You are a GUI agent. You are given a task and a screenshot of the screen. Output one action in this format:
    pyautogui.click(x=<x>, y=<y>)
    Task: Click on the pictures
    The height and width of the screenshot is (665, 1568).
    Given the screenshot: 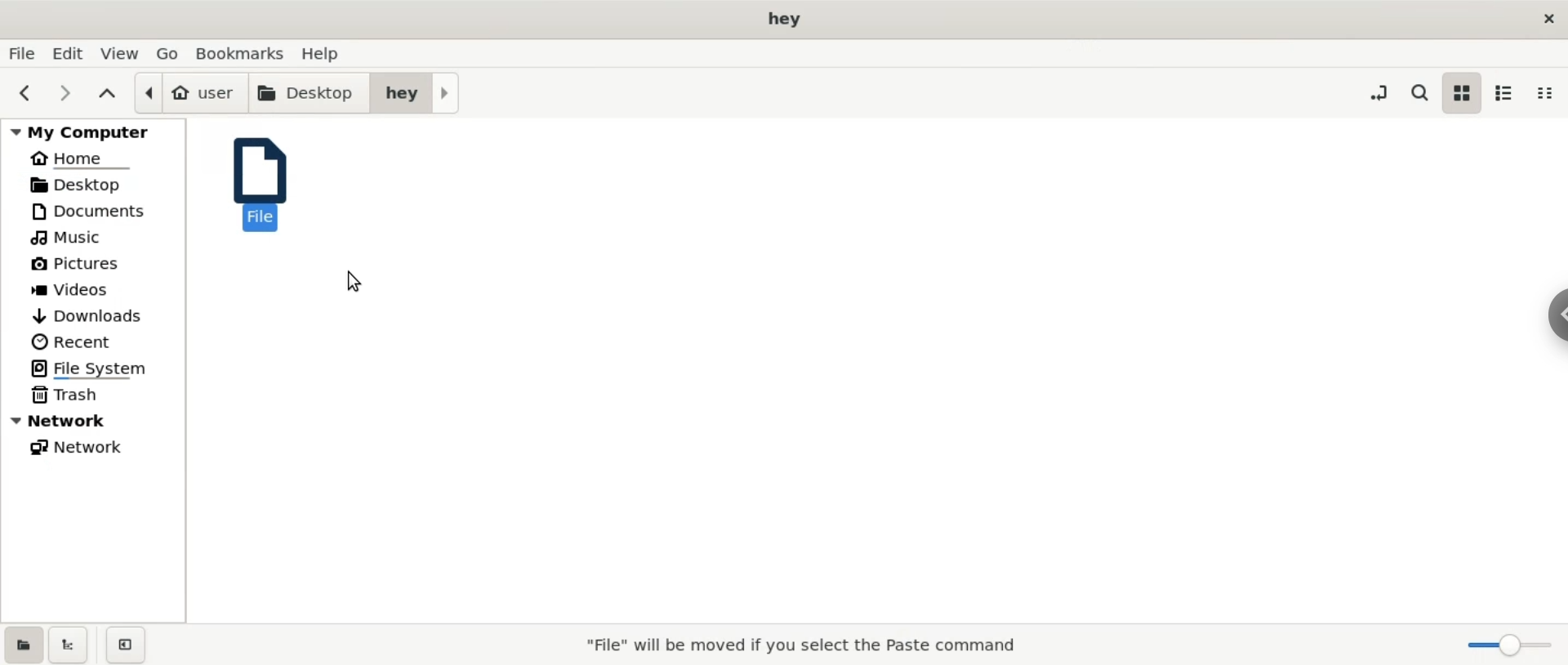 What is the action you would take?
    pyautogui.click(x=100, y=263)
    